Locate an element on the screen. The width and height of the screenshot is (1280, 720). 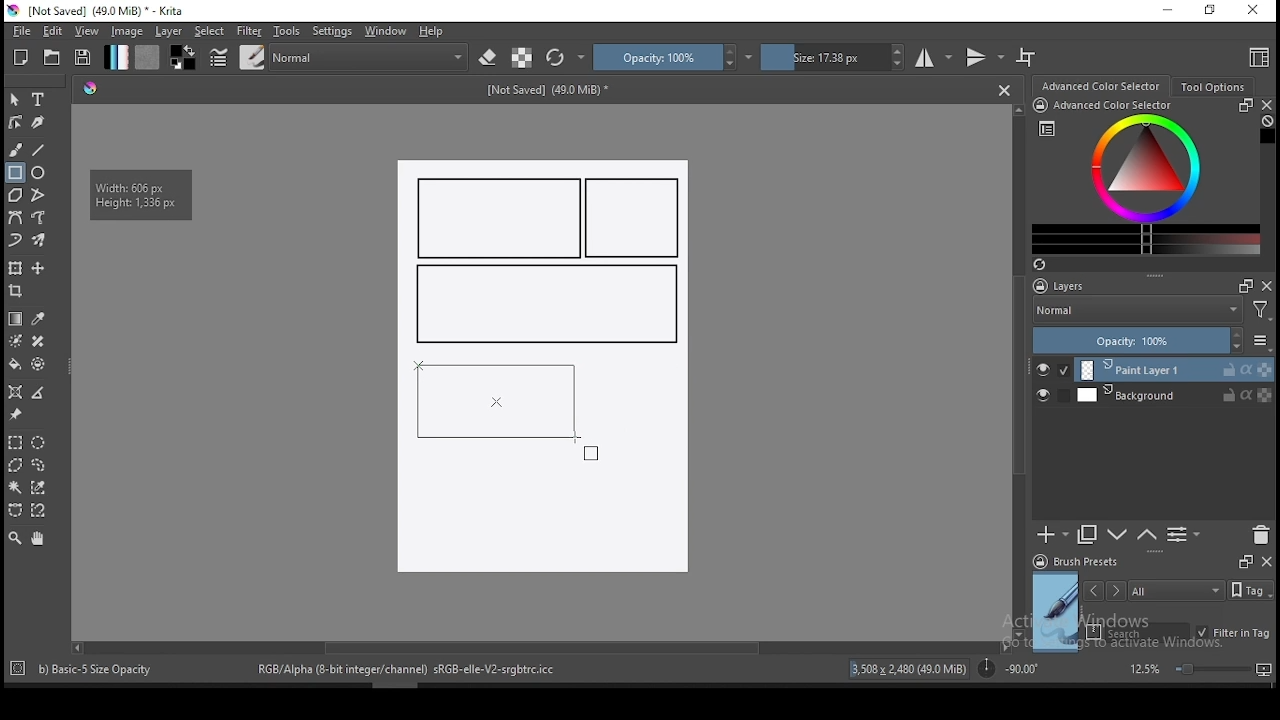
tags is located at coordinates (1176, 590).